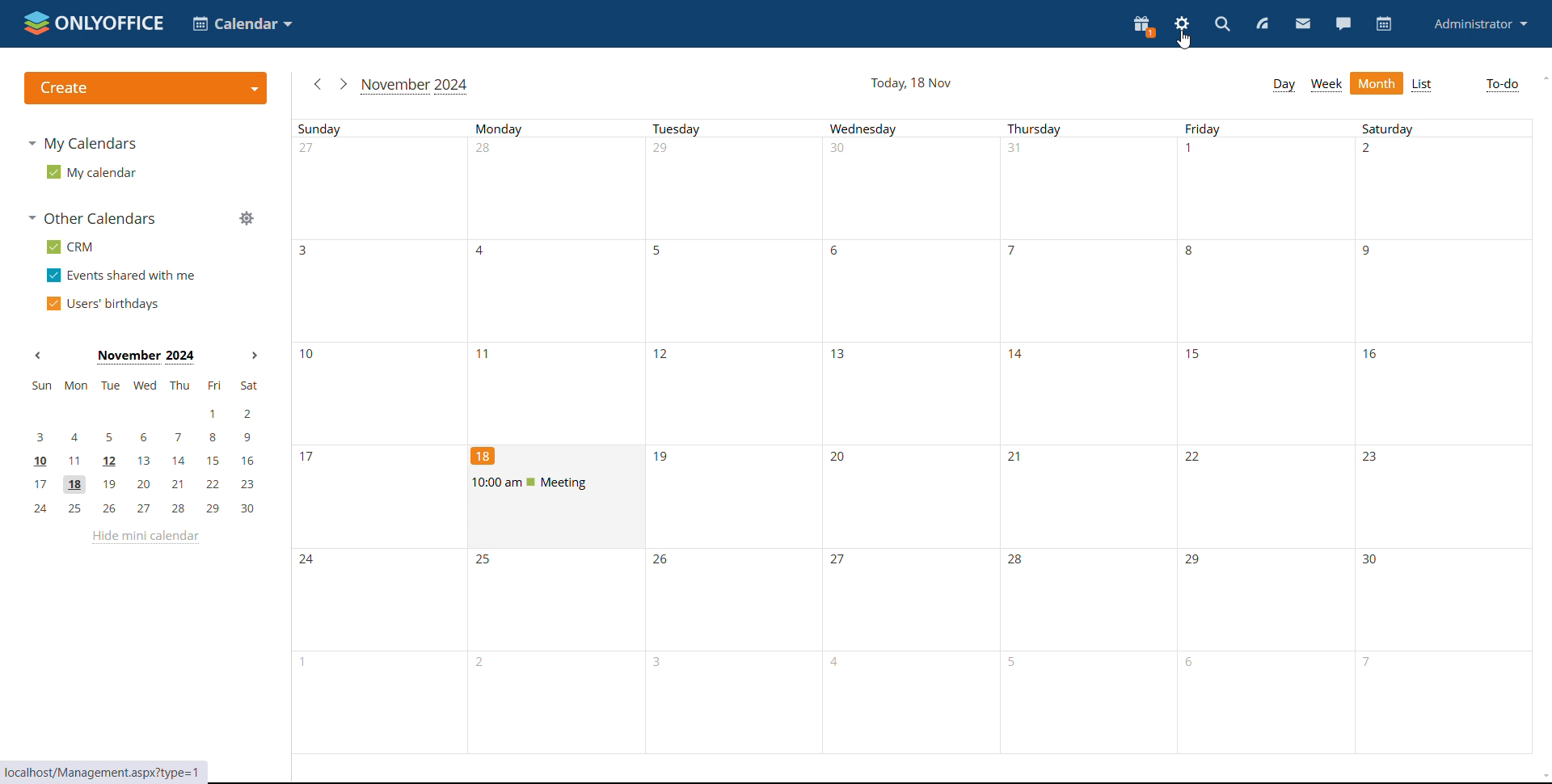 The image size is (1552, 784). What do you see at coordinates (145, 358) in the screenshot?
I see `current month` at bounding box center [145, 358].